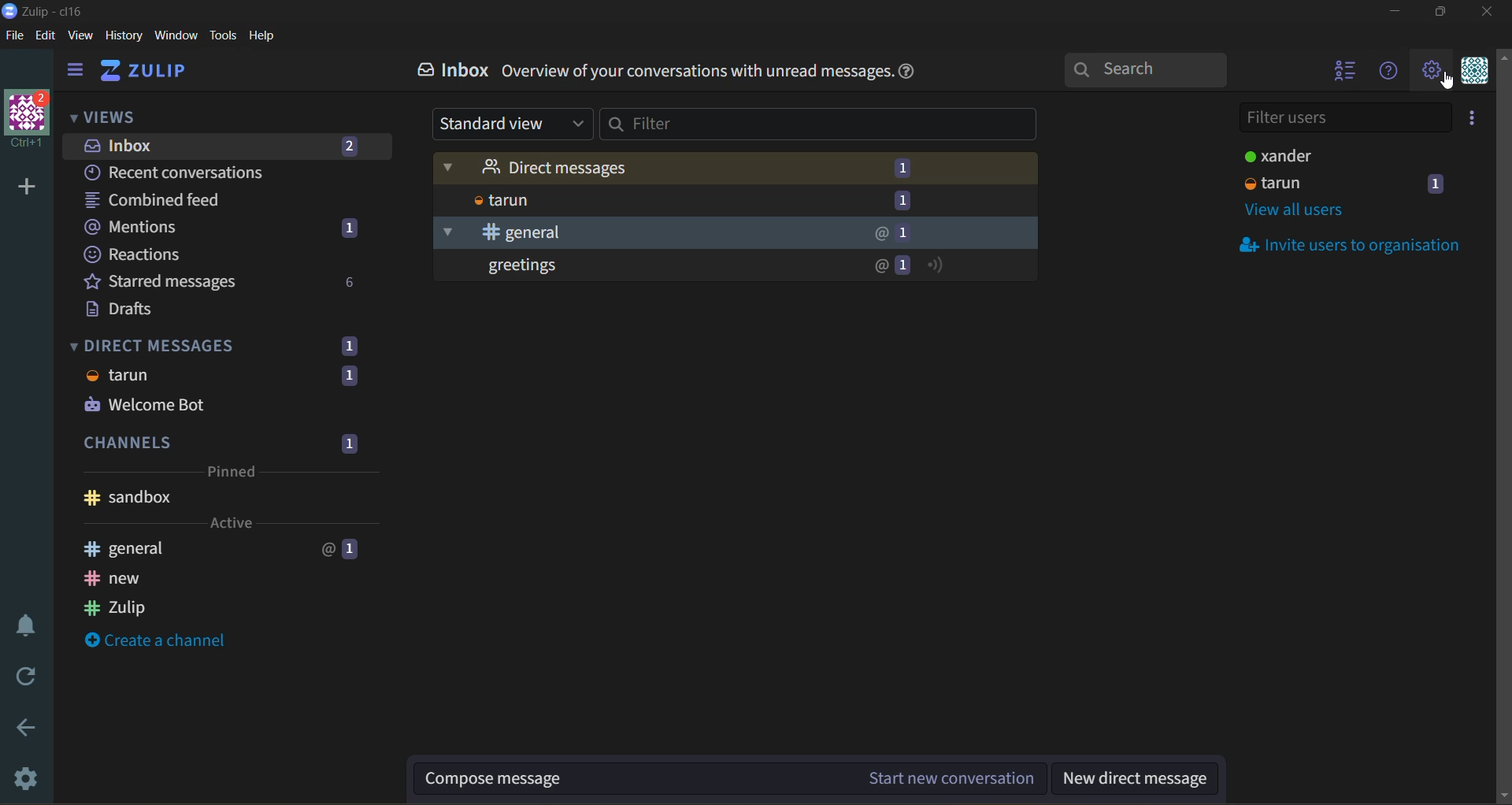 The image size is (1512, 805). Describe the element at coordinates (451, 72) in the screenshot. I see `inbox` at that location.